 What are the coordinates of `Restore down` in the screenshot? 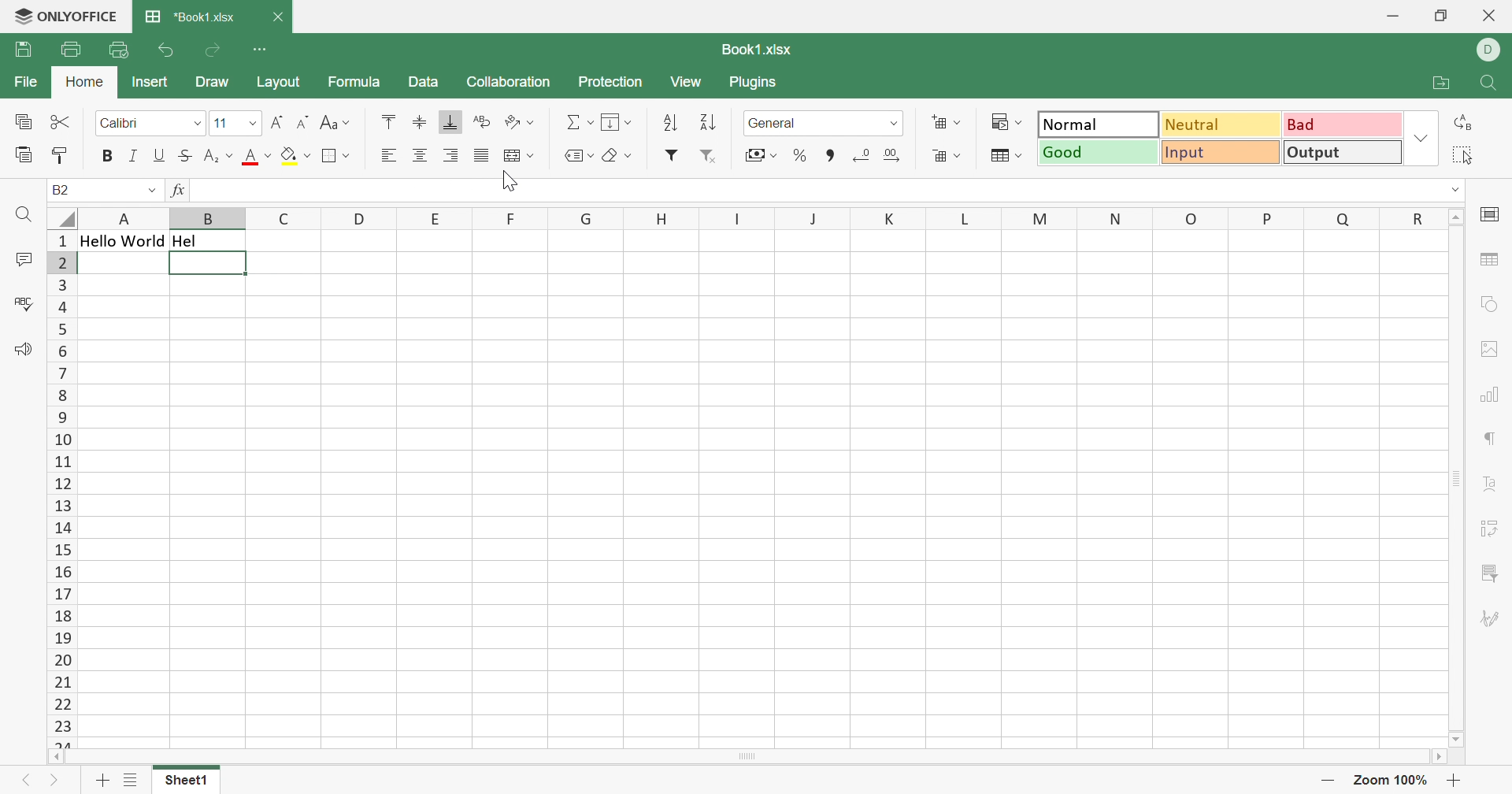 It's located at (1440, 17).